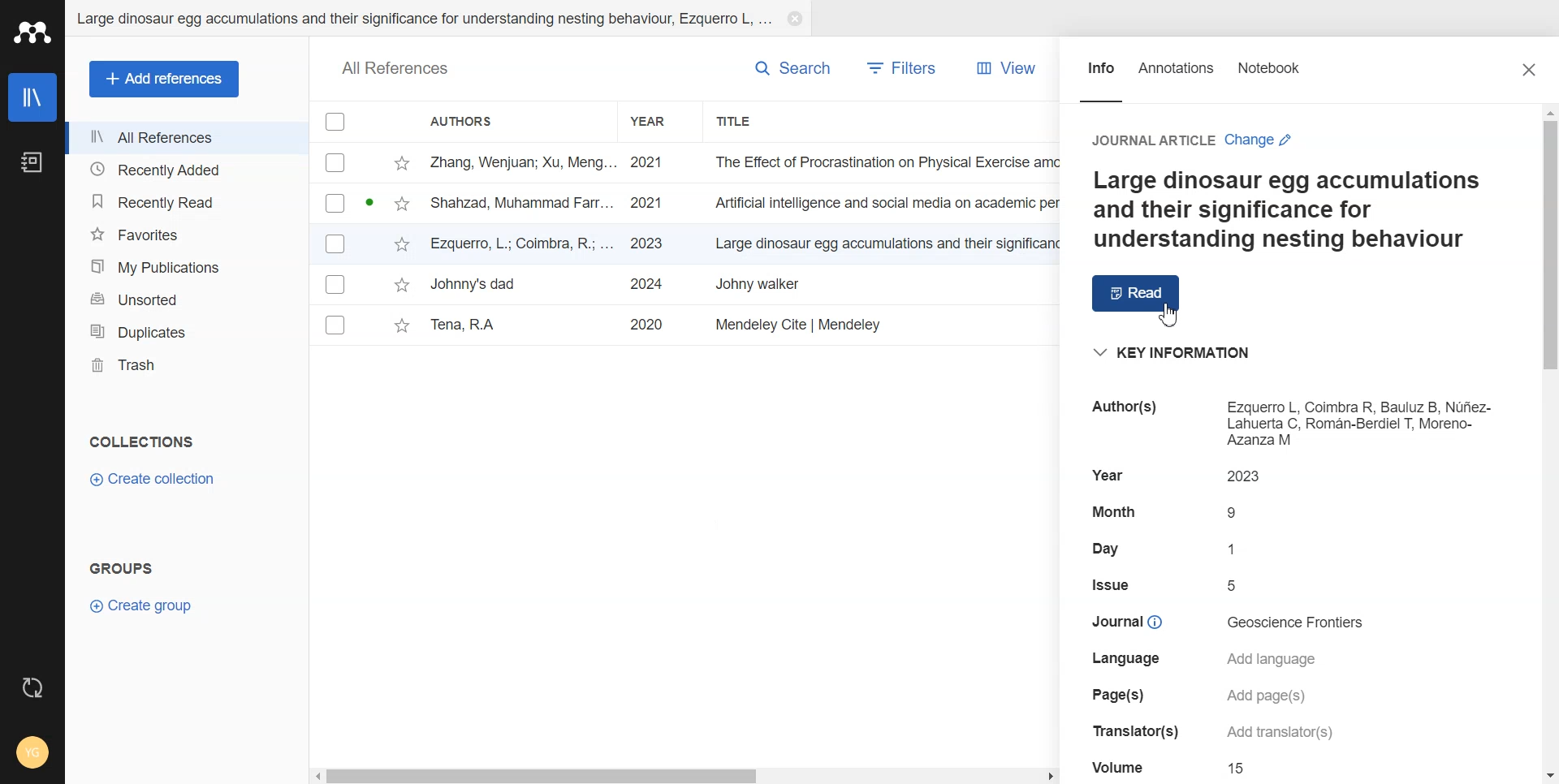  Describe the element at coordinates (1269, 141) in the screenshot. I see `change` at that location.